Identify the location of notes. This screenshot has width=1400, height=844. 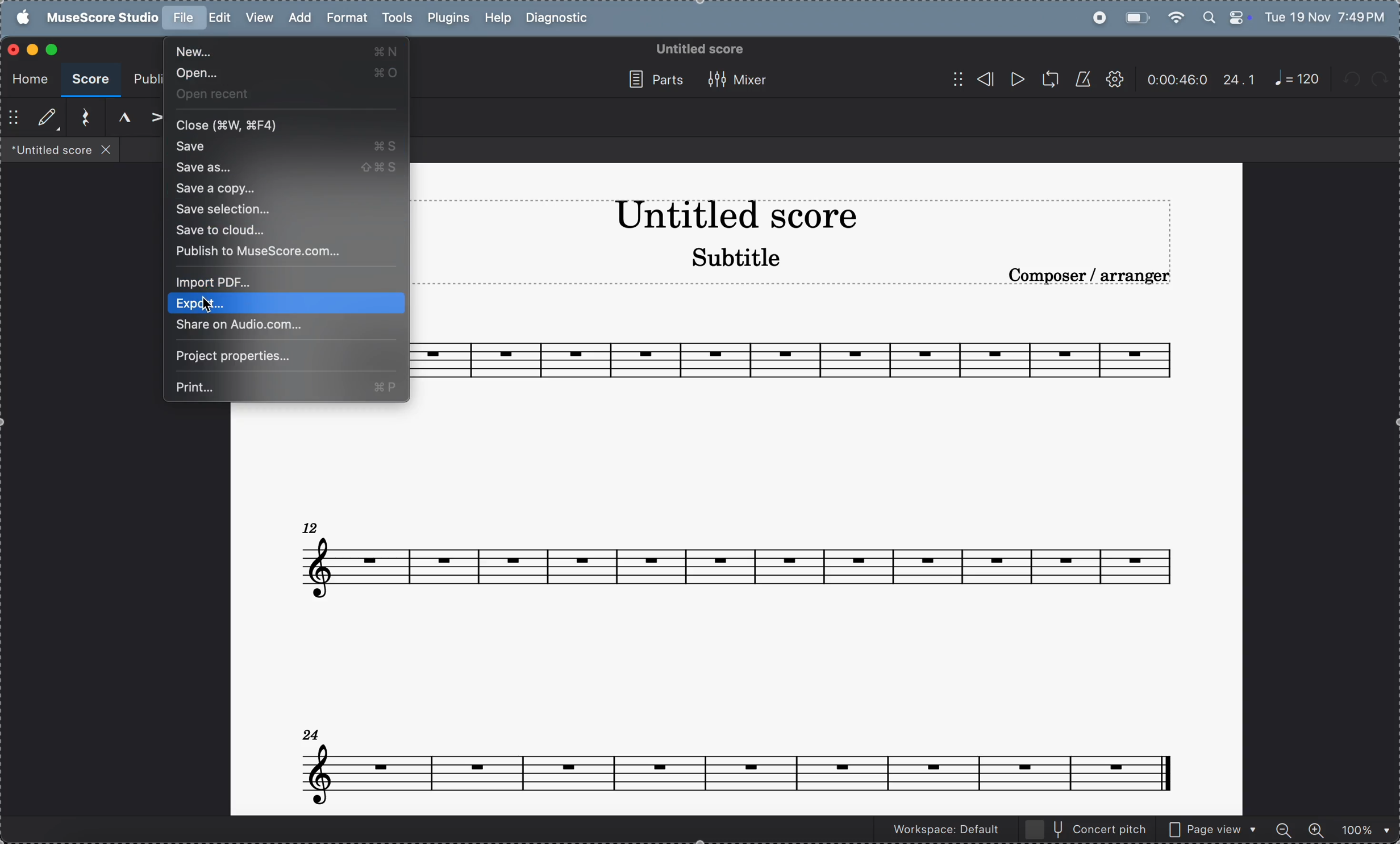
(805, 359).